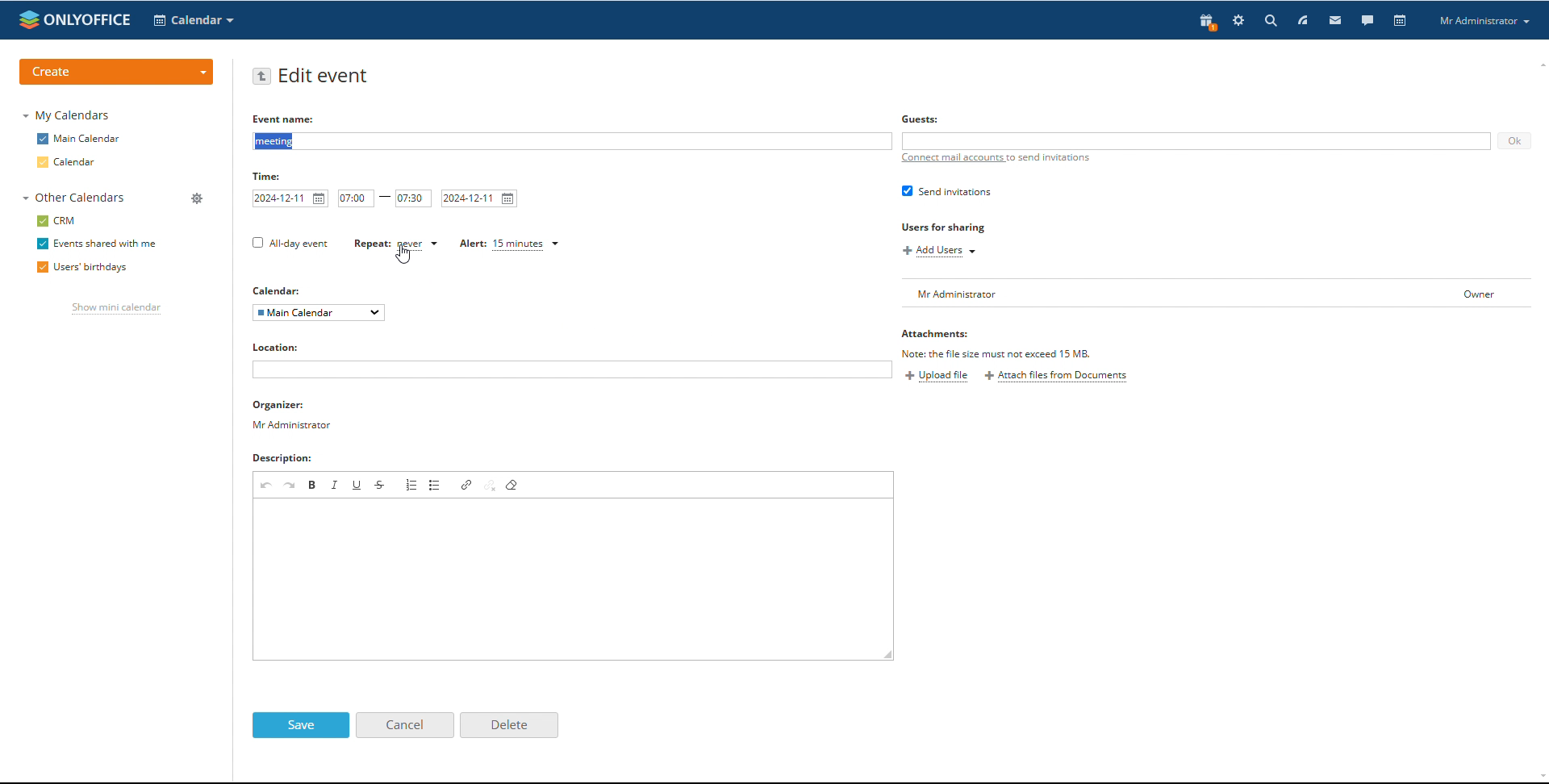 This screenshot has width=1549, height=784. I want to click on select calendar, so click(319, 312).